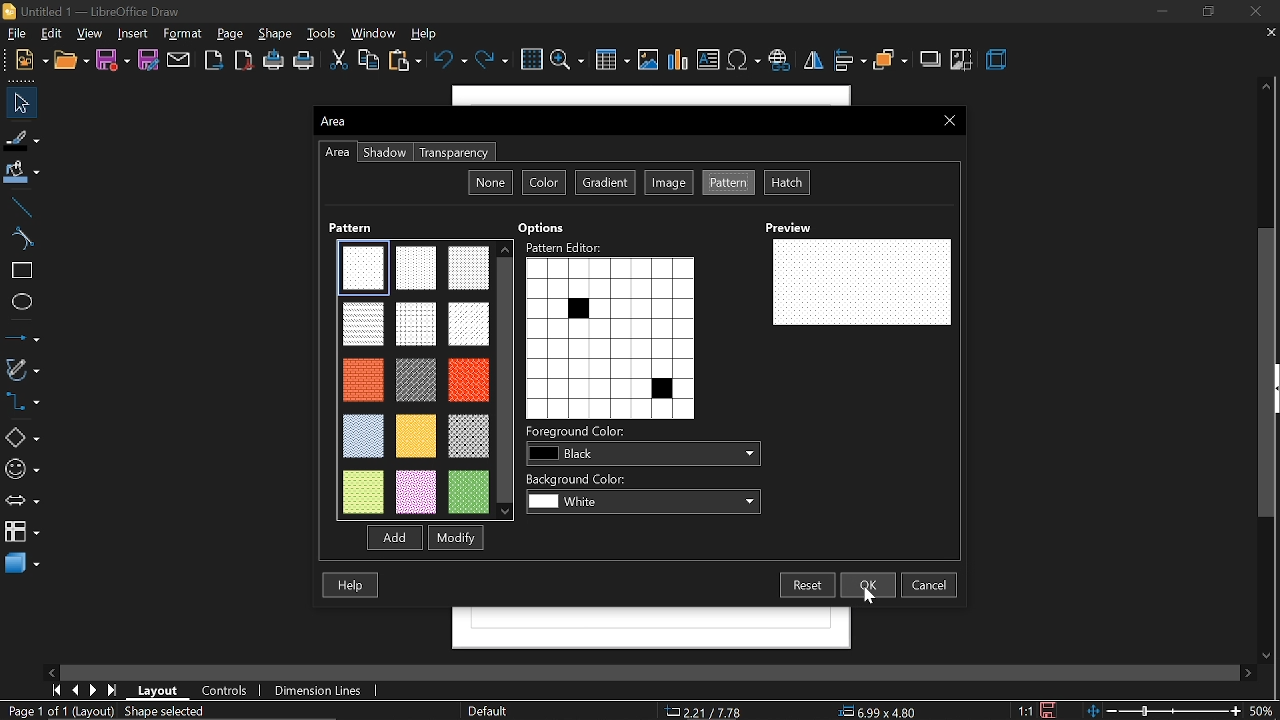 The height and width of the screenshot is (720, 1280). What do you see at coordinates (352, 586) in the screenshot?
I see `help` at bounding box center [352, 586].